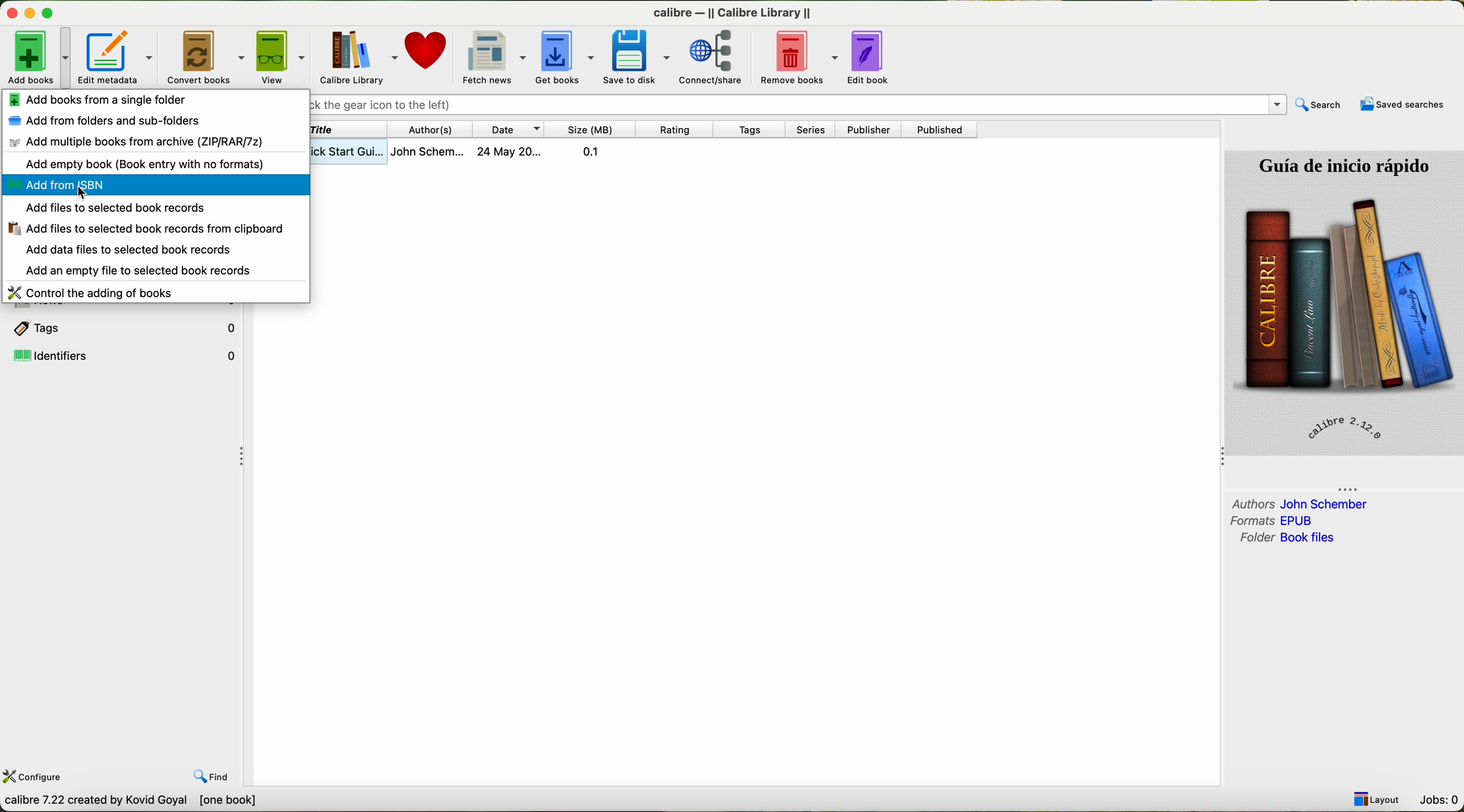  What do you see at coordinates (1299, 503) in the screenshot?
I see `authors` at bounding box center [1299, 503].